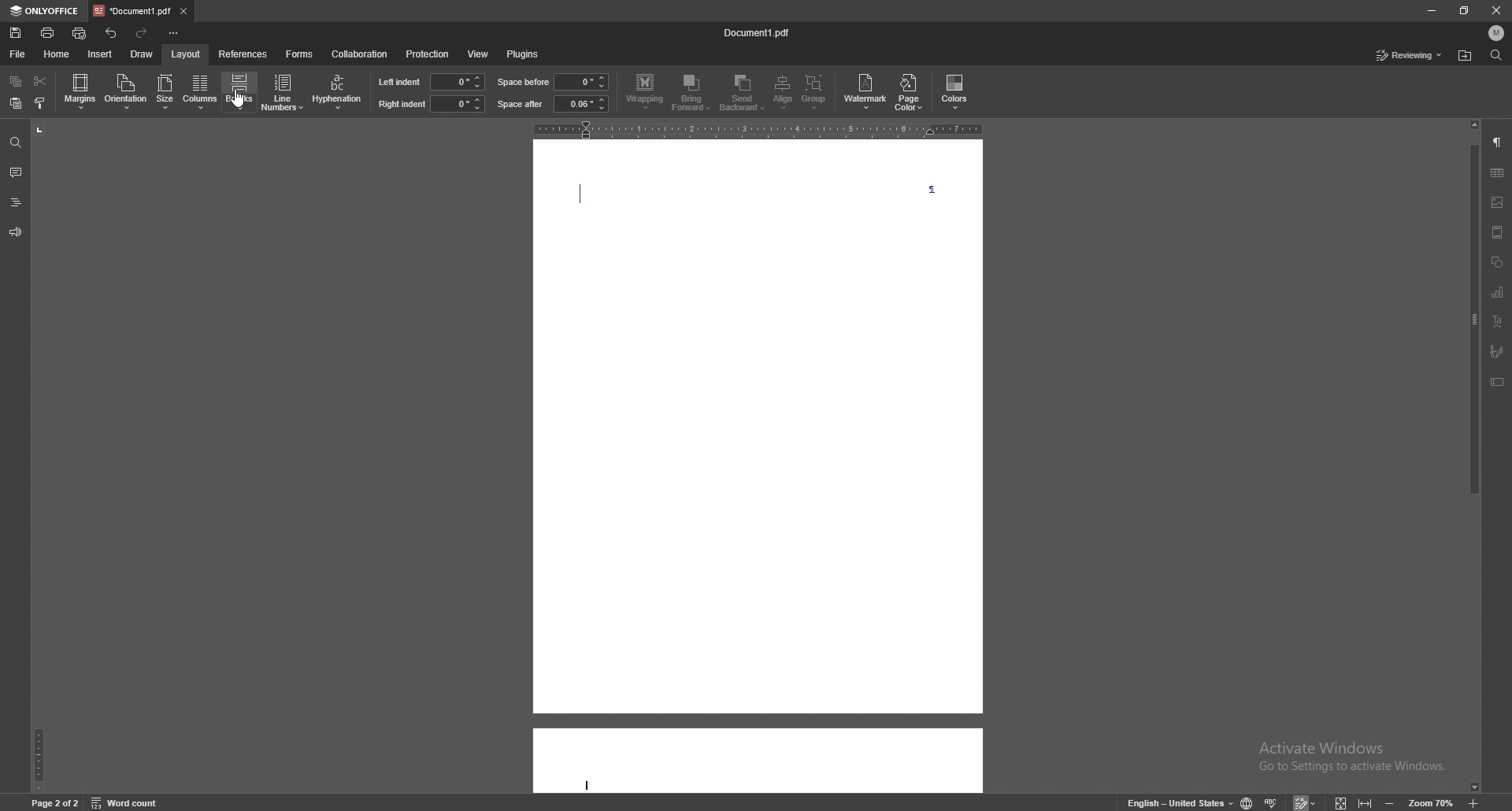 This screenshot has width=1512, height=811. What do you see at coordinates (693, 92) in the screenshot?
I see `Bring Forward` at bounding box center [693, 92].